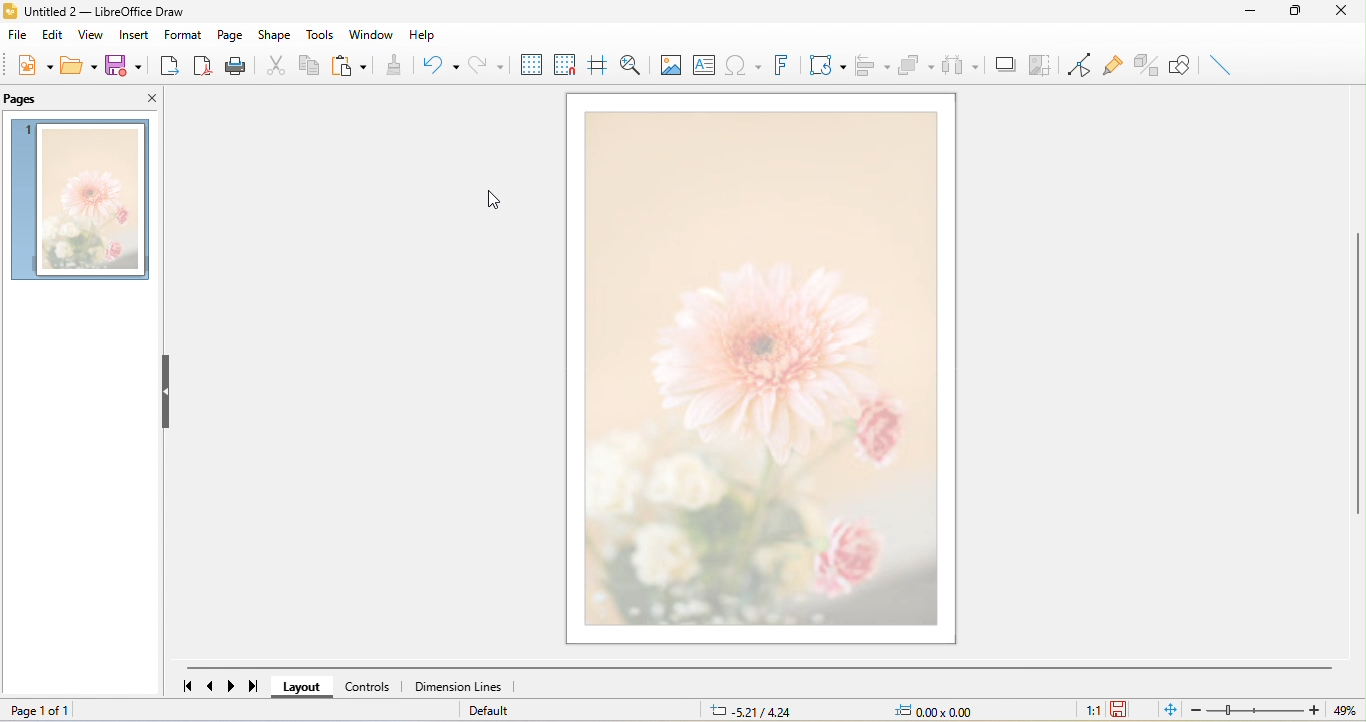 The width and height of the screenshot is (1366, 722). Describe the element at coordinates (827, 64) in the screenshot. I see `transformation` at that location.